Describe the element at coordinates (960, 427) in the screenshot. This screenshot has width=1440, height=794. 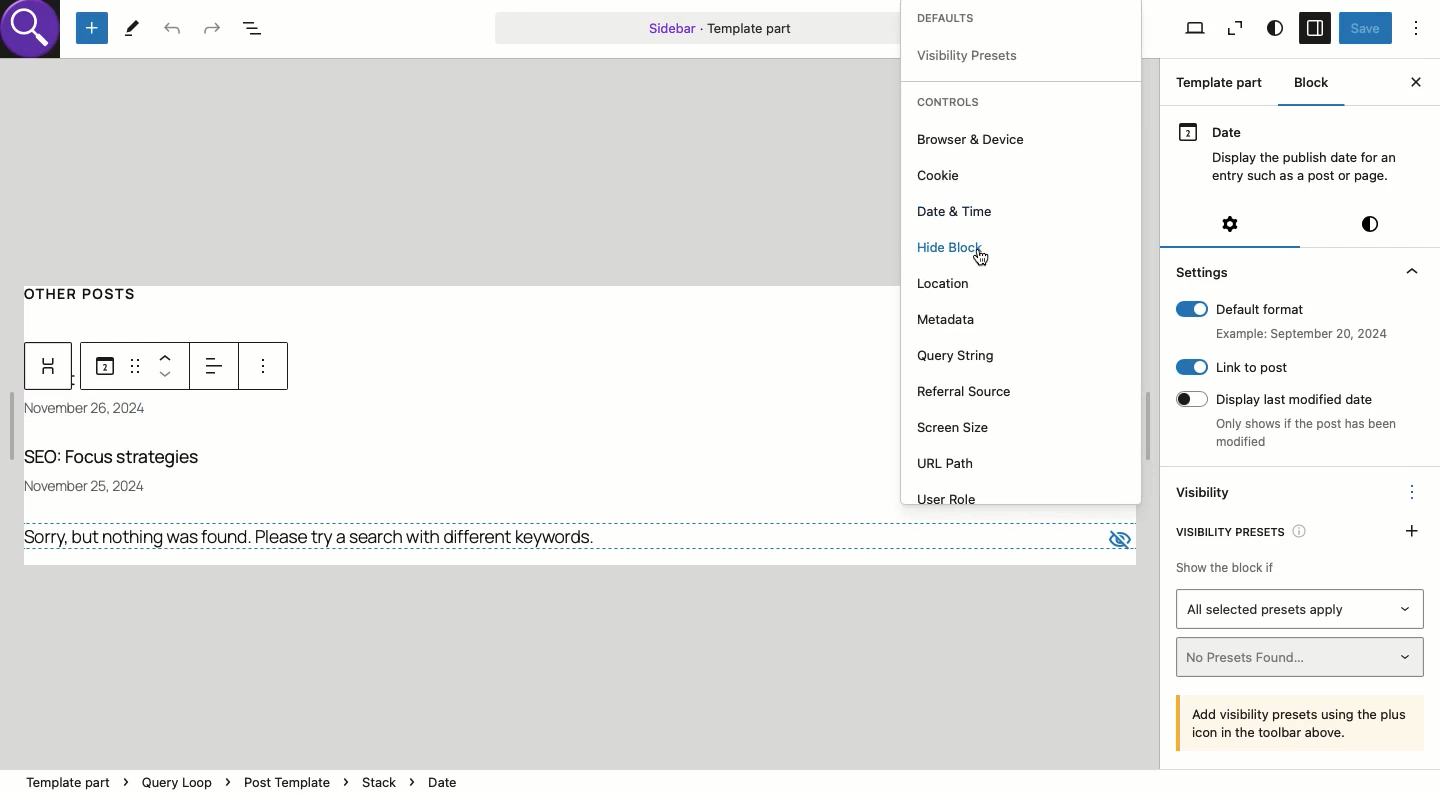
I see `Screen size` at that location.